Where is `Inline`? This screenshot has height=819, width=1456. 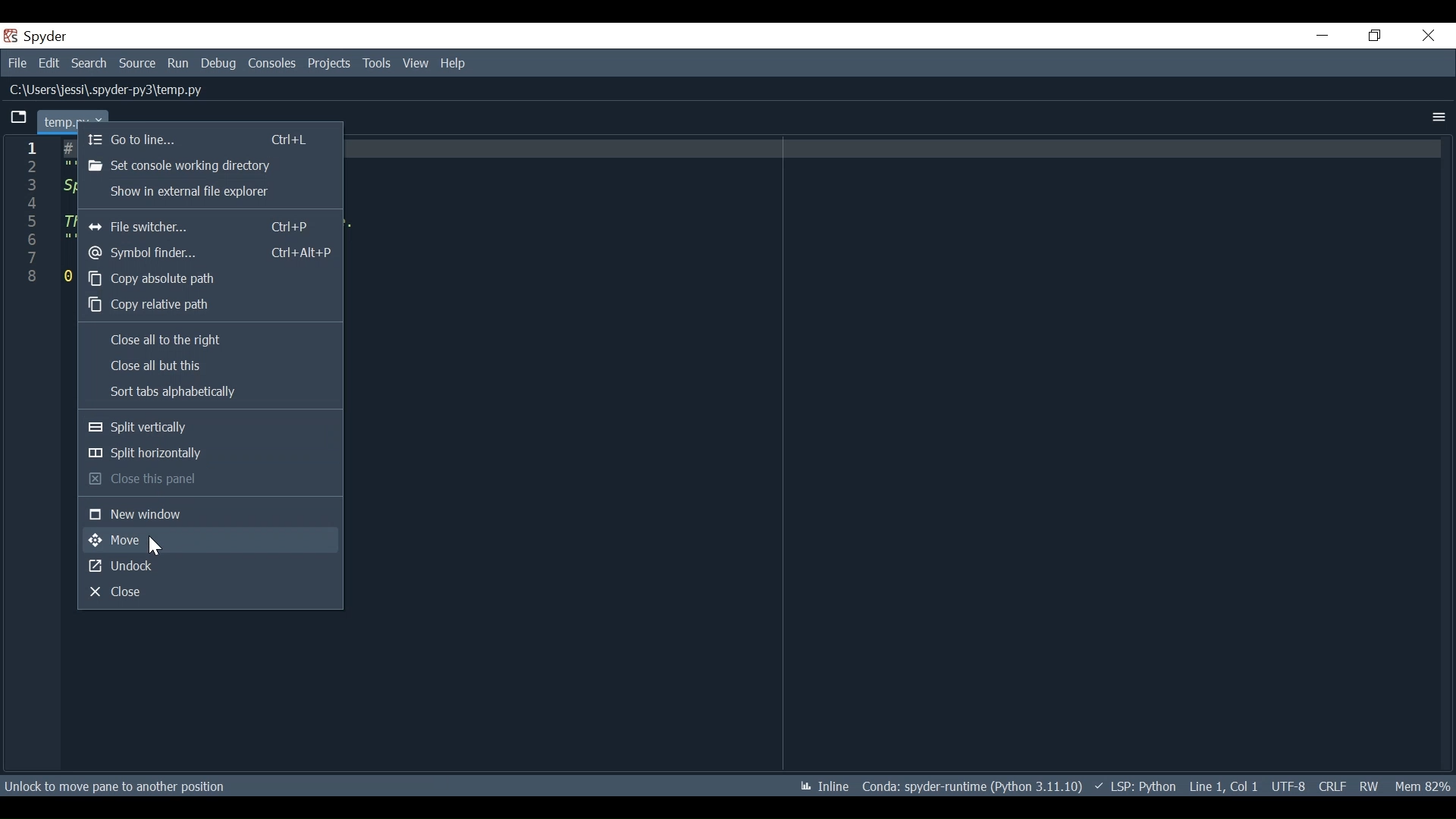
Inline is located at coordinates (825, 786).